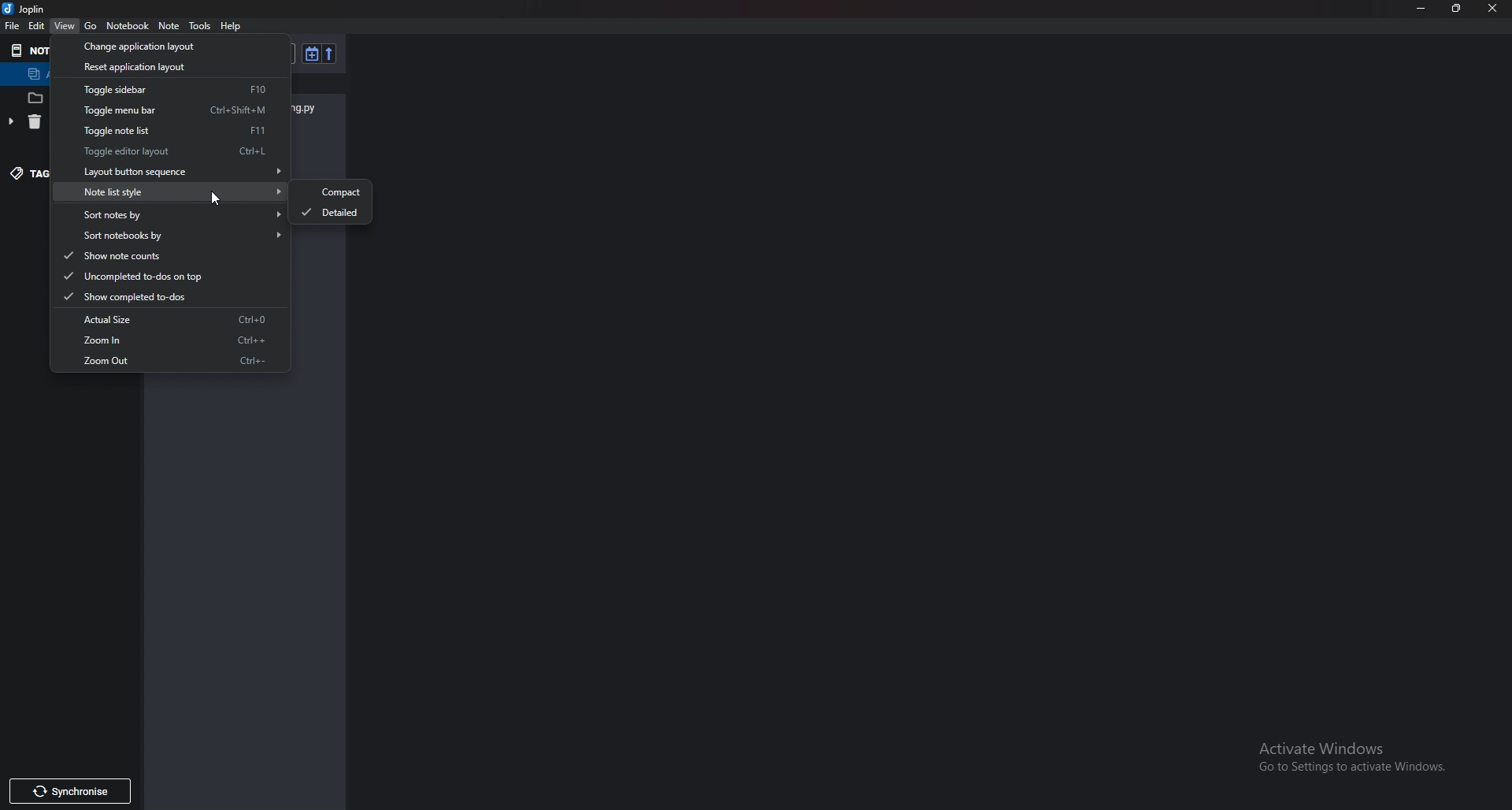 This screenshot has width=1512, height=810. What do you see at coordinates (168, 131) in the screenshot?
I see `Toggle note list` at bounding box center [168, 131].